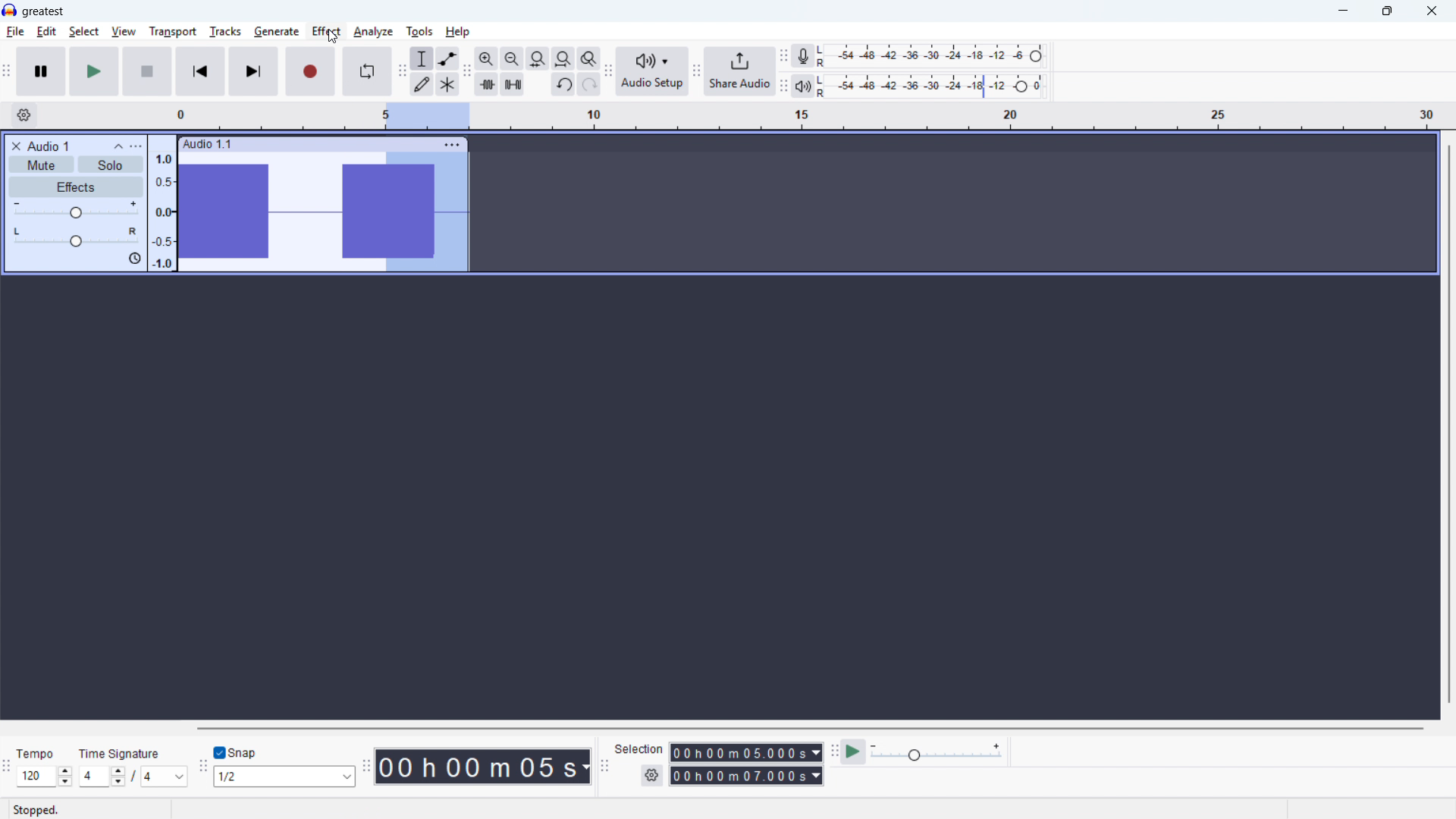 The image size is (1456, 819). Describe the element at coordinates (739, 71) in the screenshot. I see `Share audio ` at that location.